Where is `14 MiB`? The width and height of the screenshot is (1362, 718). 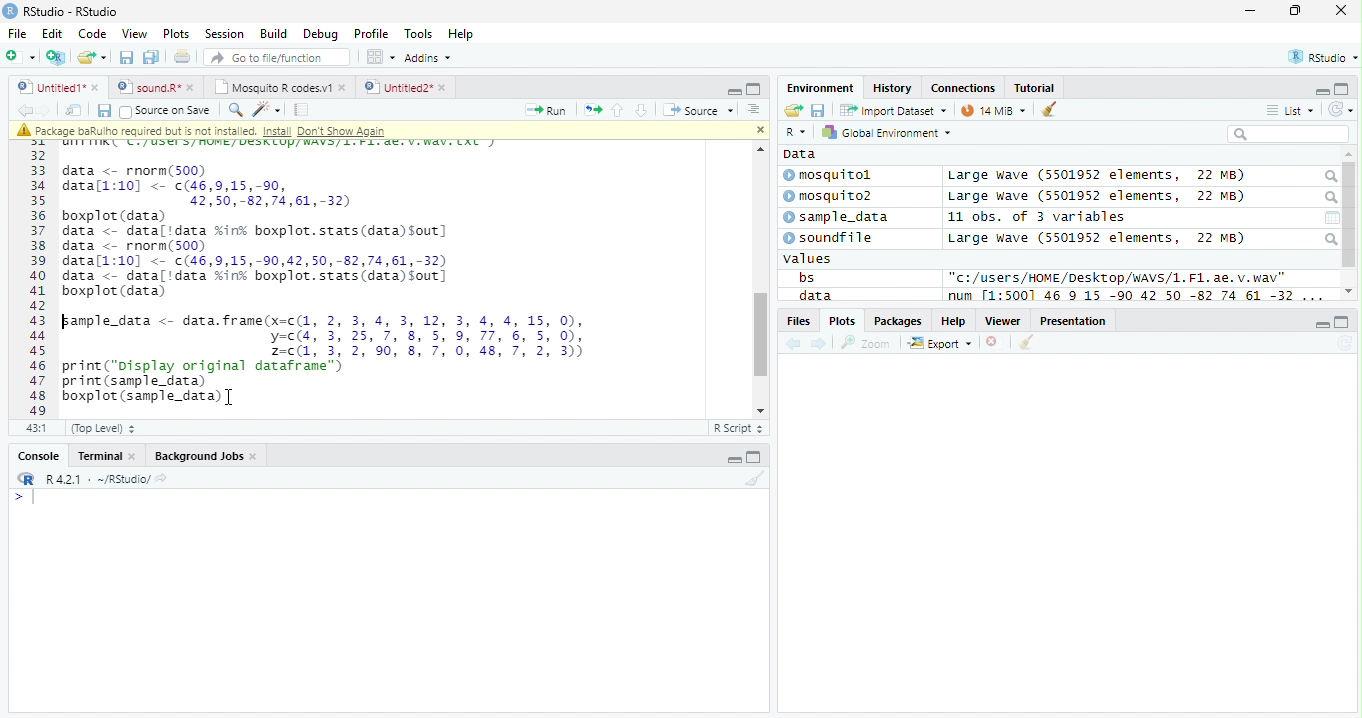
14 MiB is located at coordinates (993, 110).